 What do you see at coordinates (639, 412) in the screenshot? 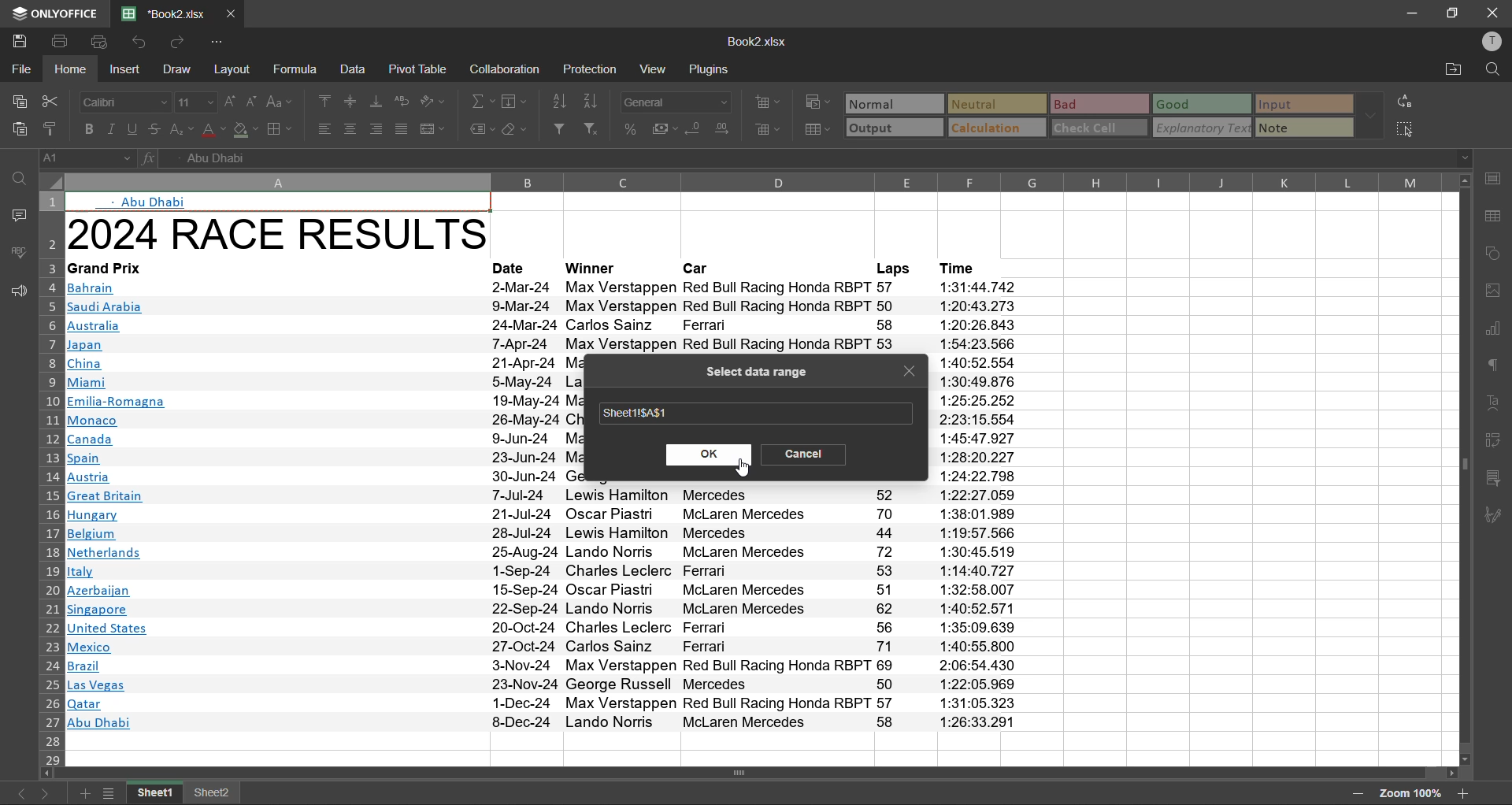
I see `range selected` at bounding box center [639, 412].